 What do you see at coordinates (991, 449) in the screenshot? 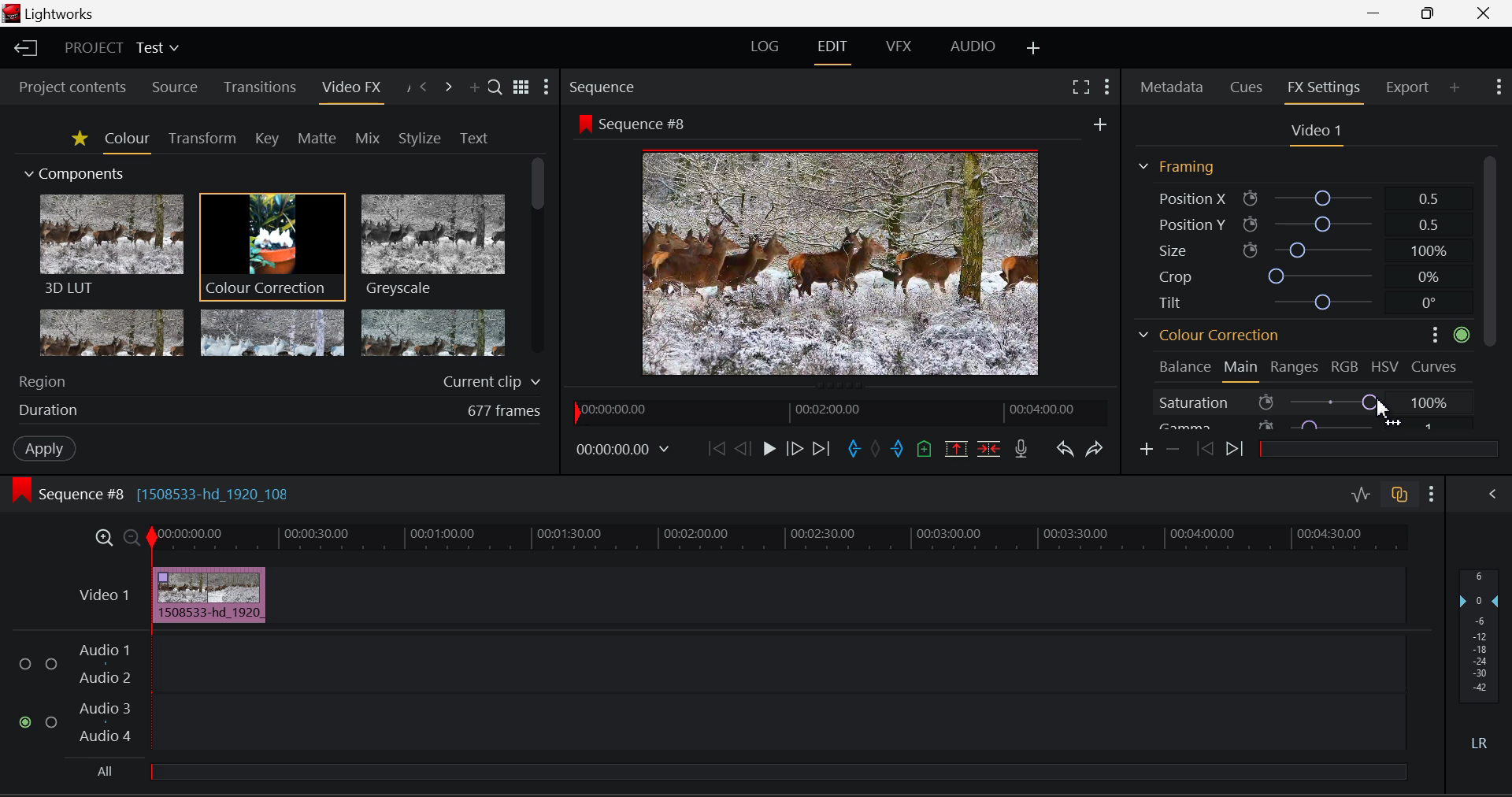
I see `Delete/Cut` at bounding box center [991, 449].